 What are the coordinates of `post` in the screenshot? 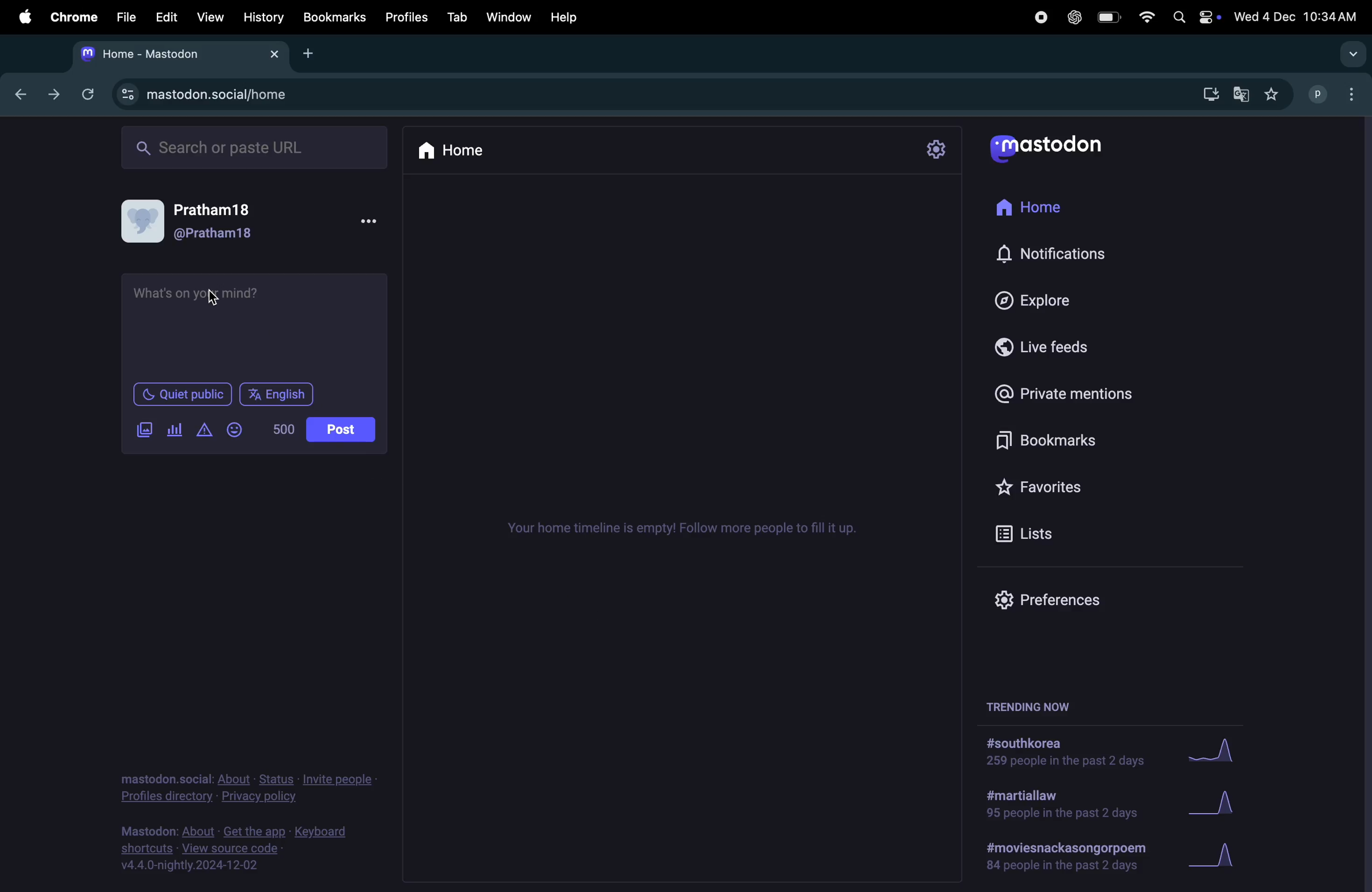 It's located at (342, 430).